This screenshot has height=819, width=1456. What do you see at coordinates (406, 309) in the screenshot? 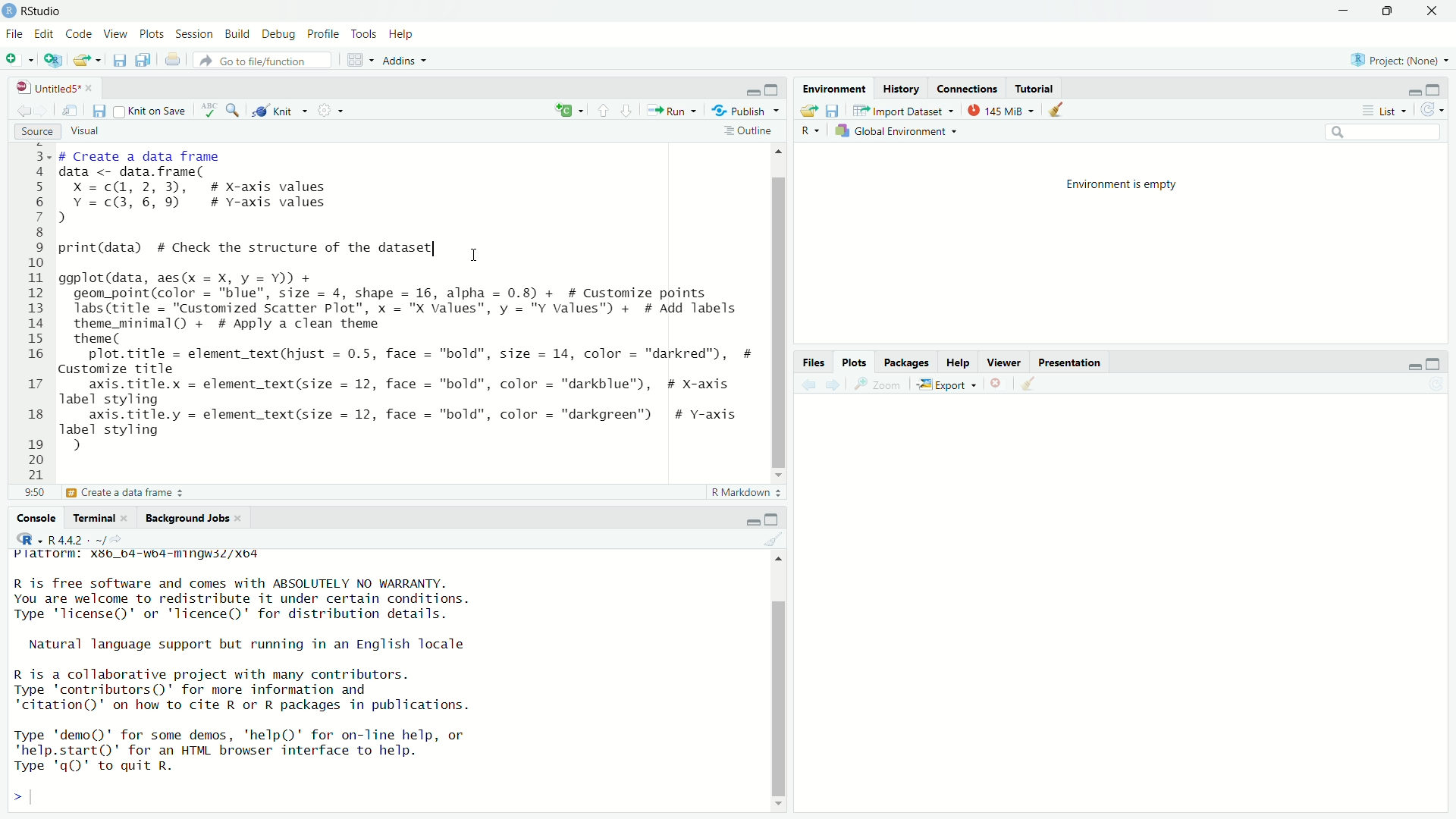
I see `# Create a data frame
data <- data.frame(
X =c@, 2, 3), # X-axis values
Y =c@, 6, 9) # Y-axis values
d
print(data) # Check the structure of the dataset 1
ggplot(data, aes(x = X, y = Y)) +
geom_point(color = "blue", size = 4, shape = 16, alpha = 0.8) + # Customize points
labs (title = "Customized Scatter Plot", x = "X values", y = "Y values") + # Add labels
theme_minimal() + # Apply a clean theme
theme (
plot.title = element_text(hjust = 0.5, face = "bold", size = 14, color = "darkred"), #
Customize title
axis.title.x = element_text(size = 12, face = "bold", color = "darkblue"), # X-axis
label styling
axis.title.y = element_text(size = 12, face = "bold", color = "darkgreen") # Y-axis
label styling
d` at bounding box center [406, 309].